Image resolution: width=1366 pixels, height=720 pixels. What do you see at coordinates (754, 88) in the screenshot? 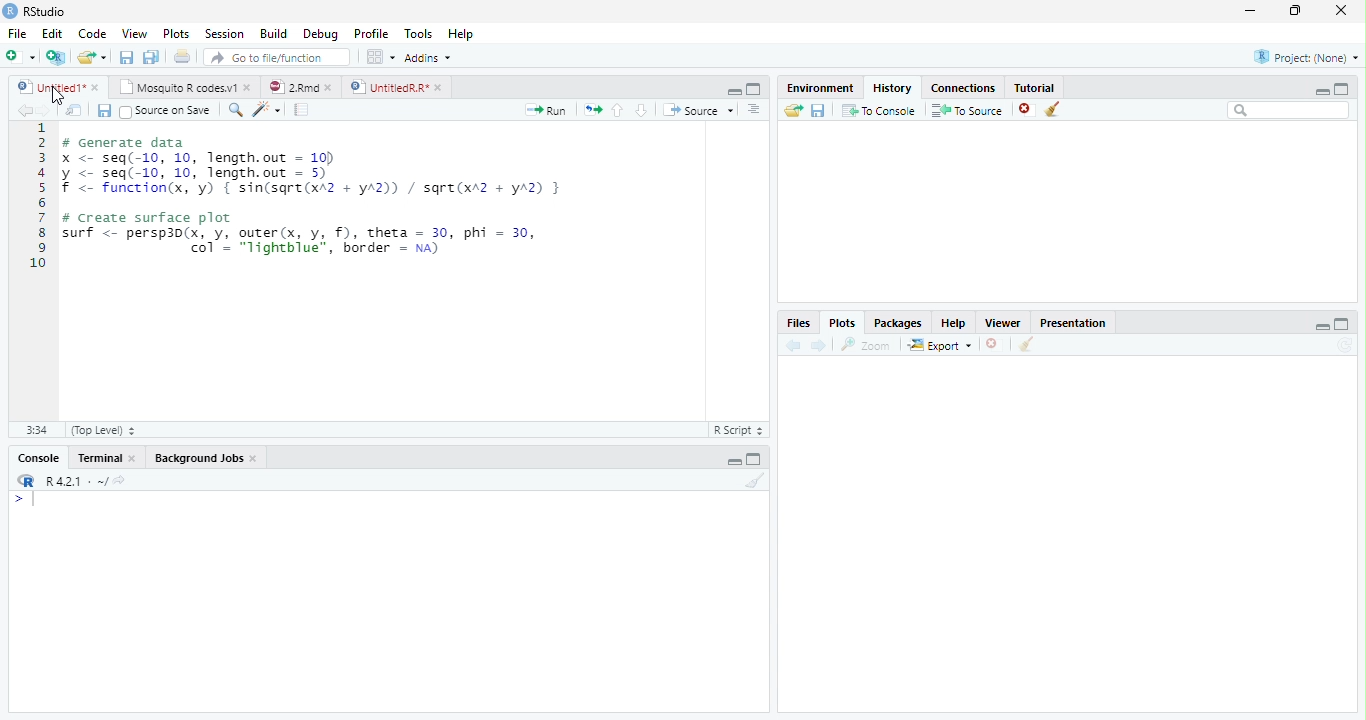
I see `Maximixe` at bounding box center [754, 88].